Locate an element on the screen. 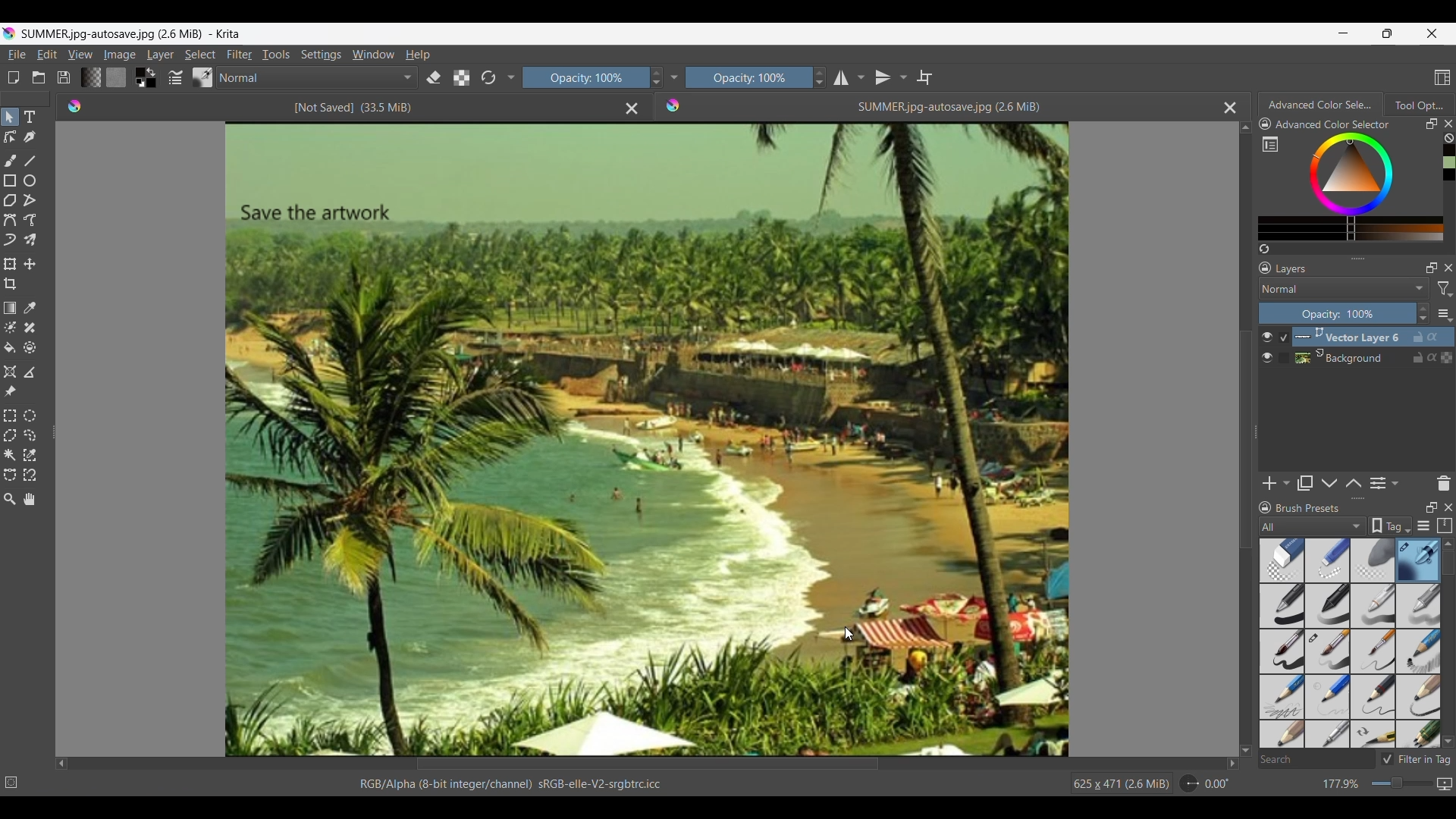  Choose workspace is located at coordinates (1442, 77).